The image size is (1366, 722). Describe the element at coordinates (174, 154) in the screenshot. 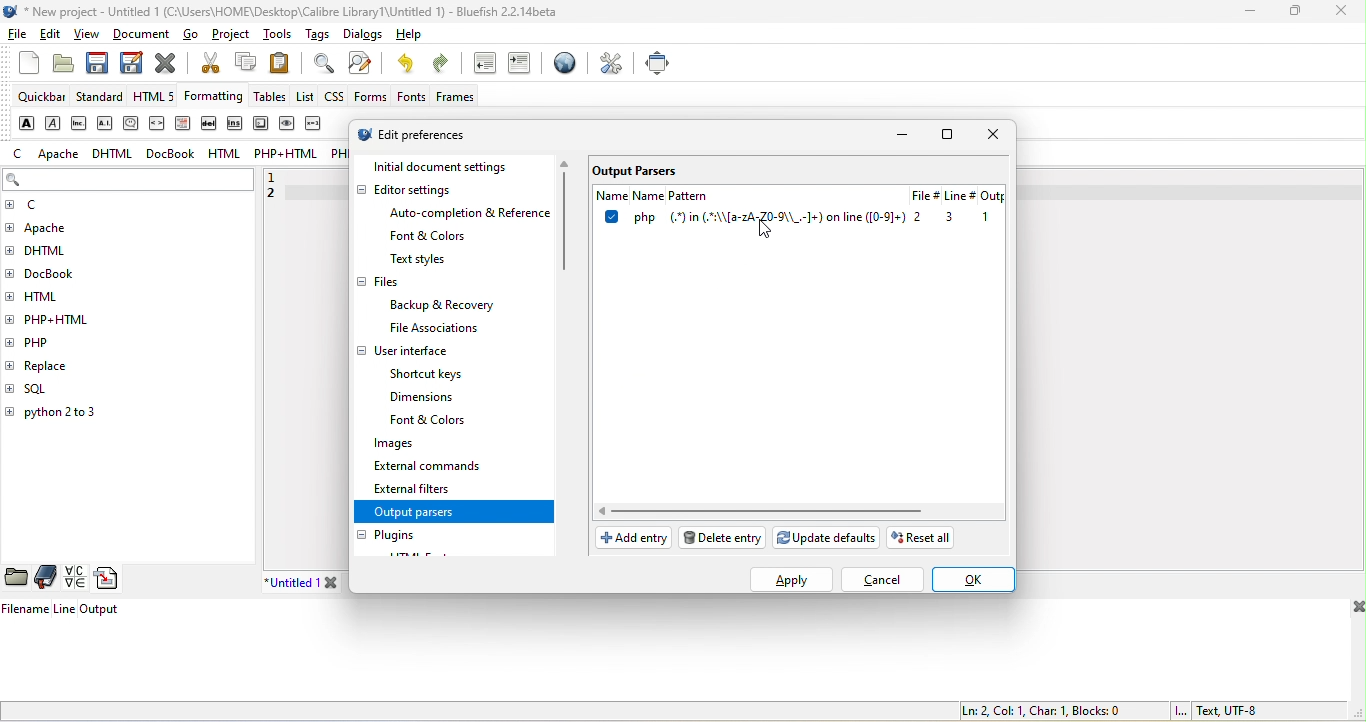

I see `docbook` at that location.